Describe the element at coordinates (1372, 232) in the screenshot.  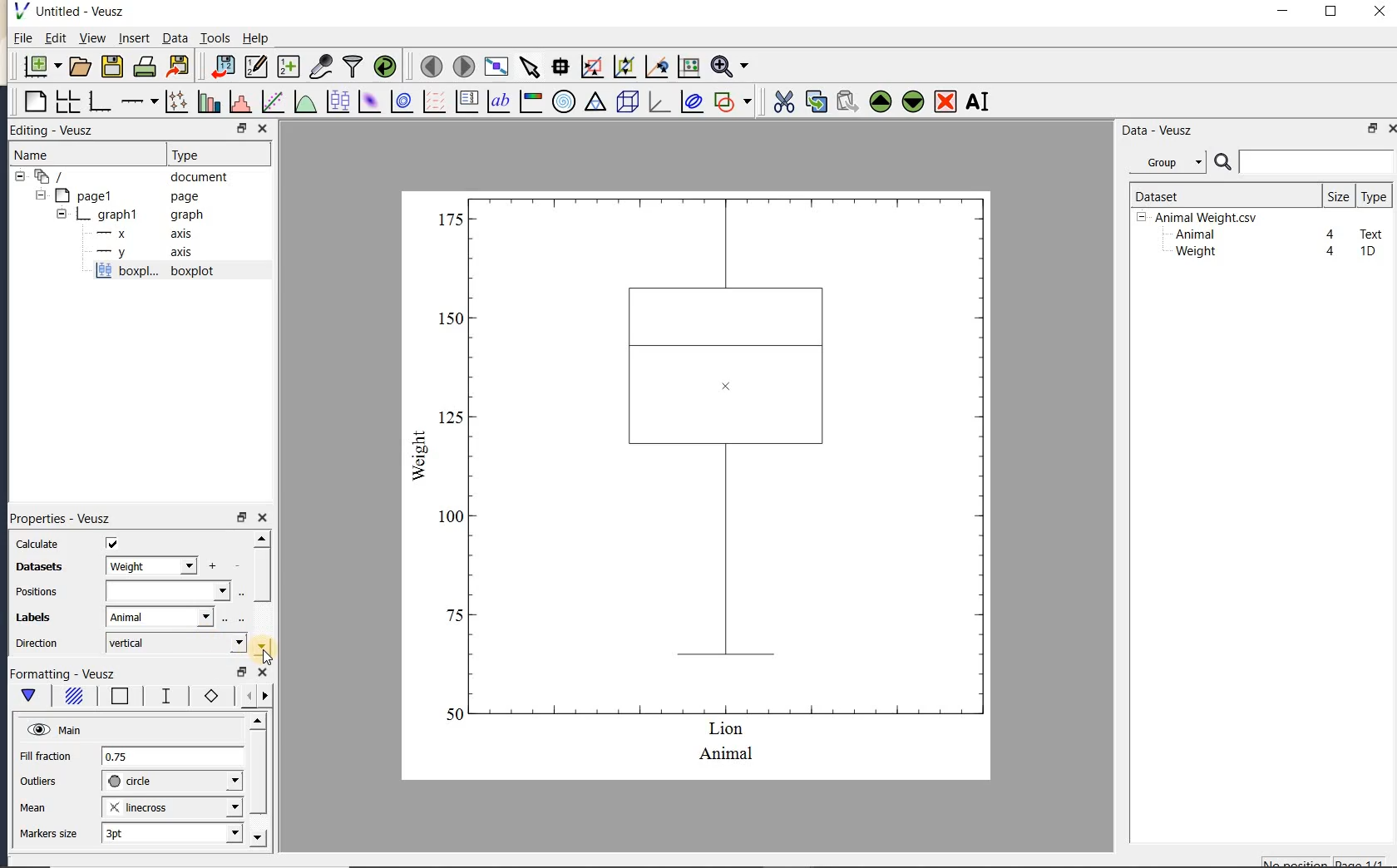
I see `Text` at that location.